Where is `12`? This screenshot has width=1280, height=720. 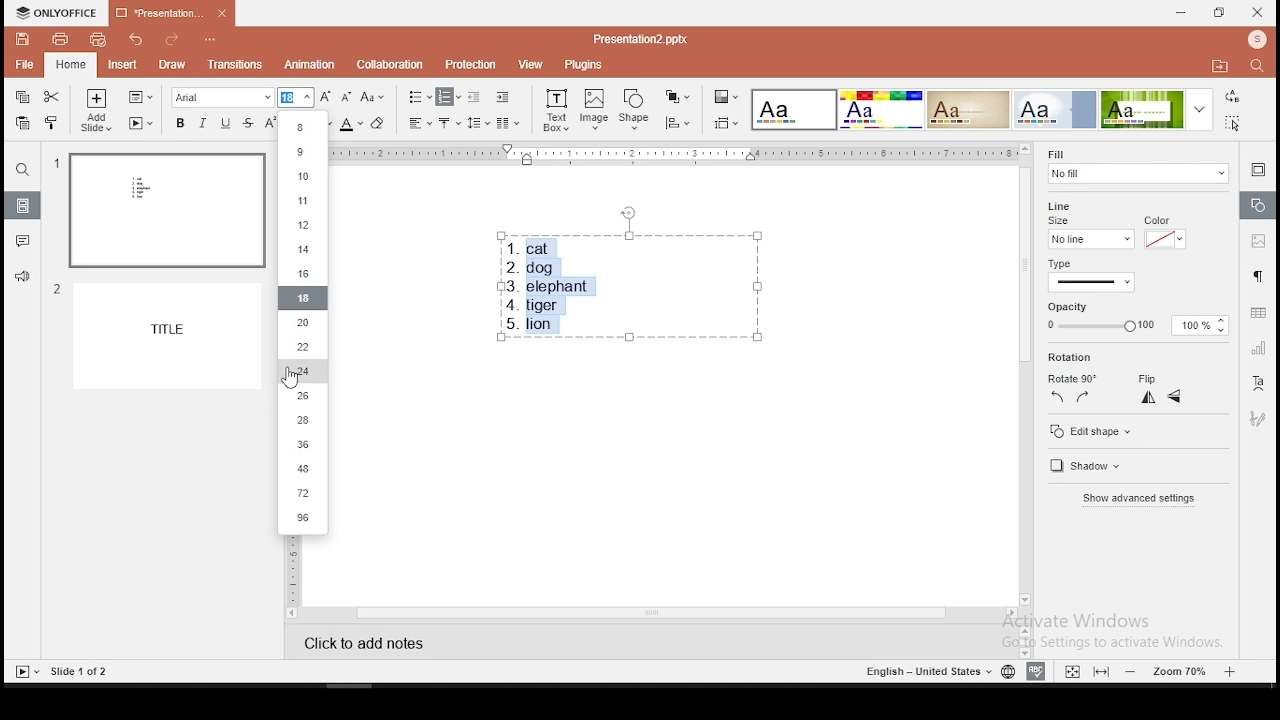 12 is located at coordinates (304, 225).